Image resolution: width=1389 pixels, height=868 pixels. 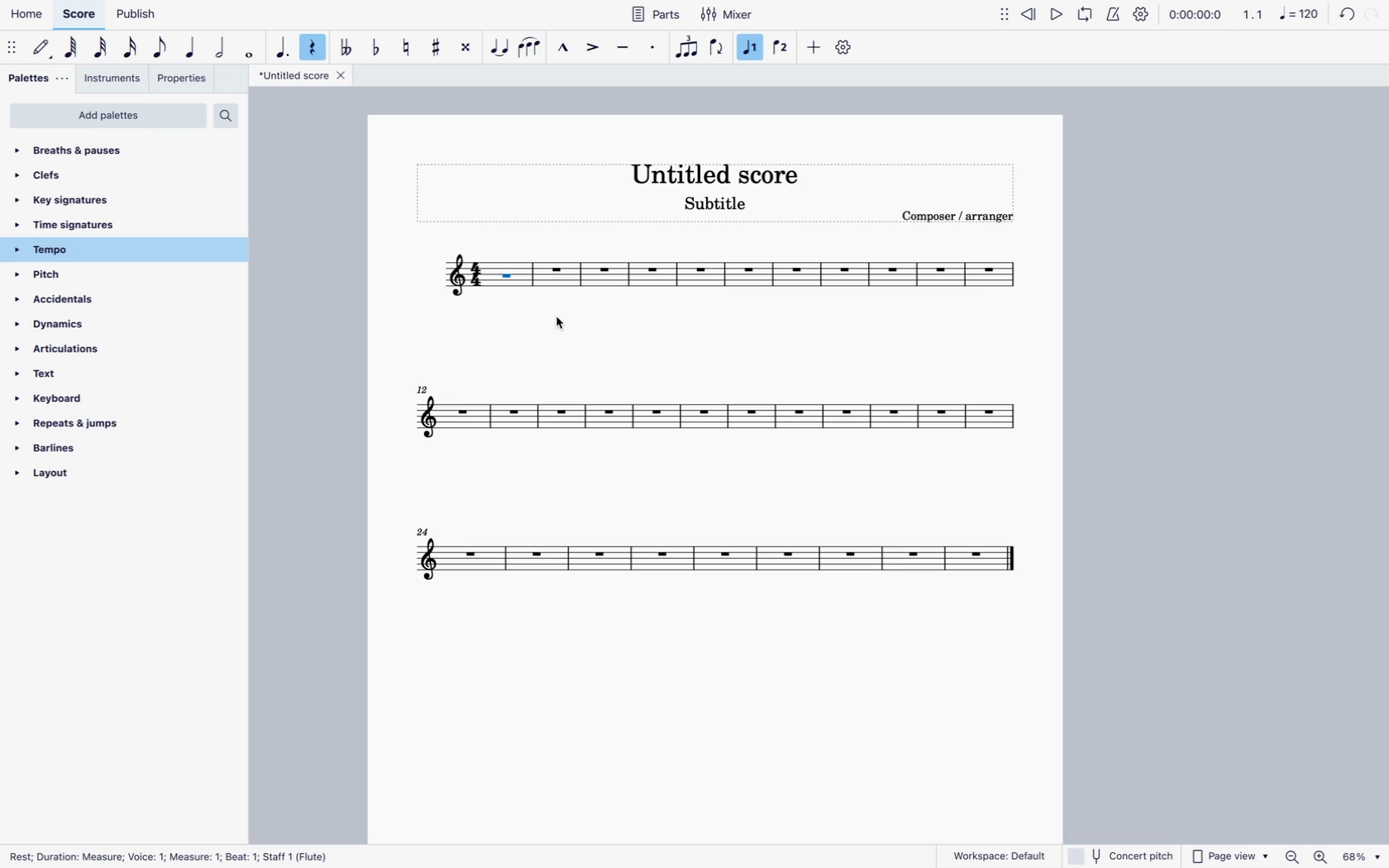 What do you see at coordinates (1291, 856) in the screenshot?
I see `zoom` at bounding box center [1291, 856].